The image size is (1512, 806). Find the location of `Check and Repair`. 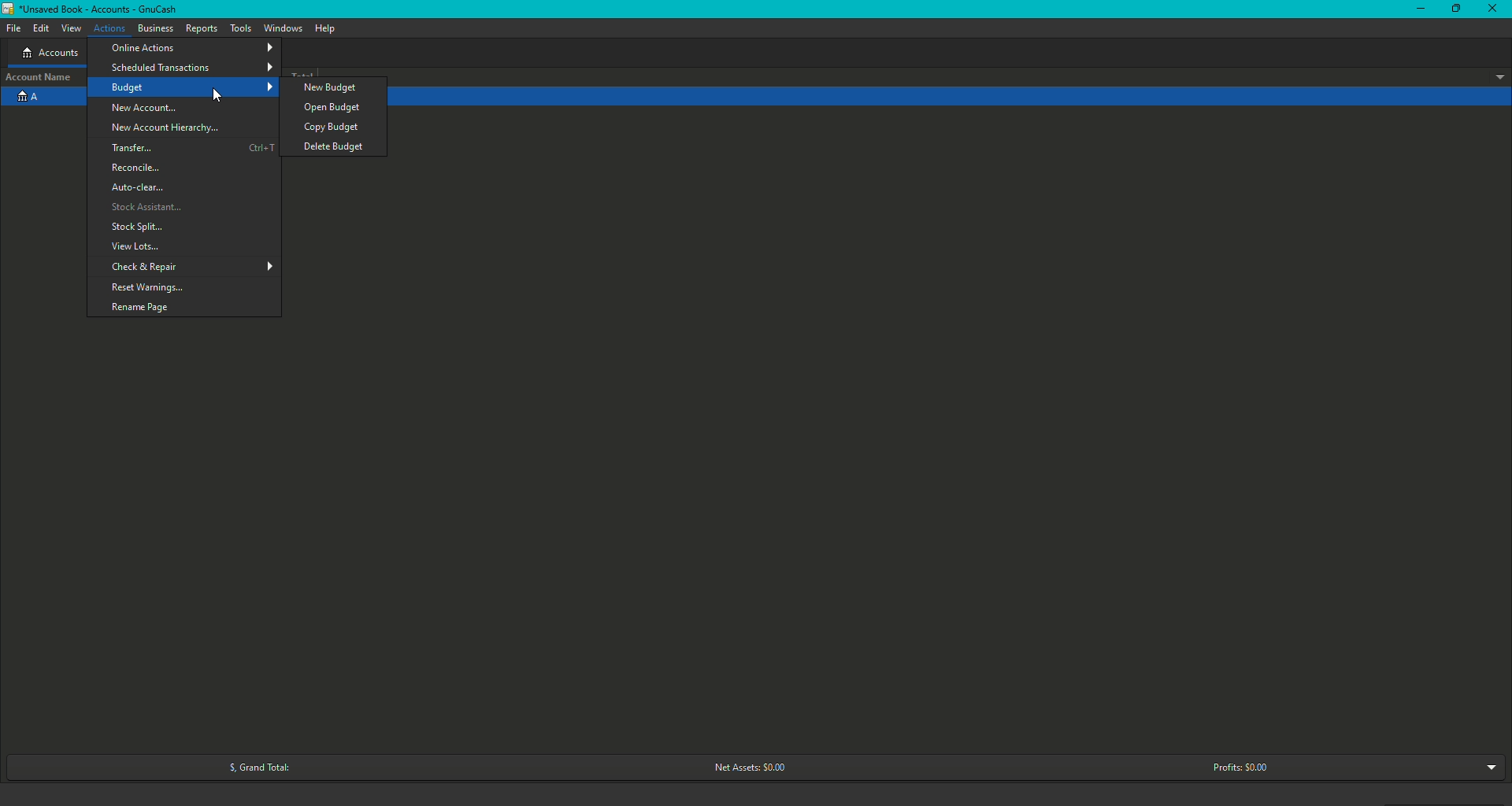

Check and Repair is located at coordinates (195, 268).